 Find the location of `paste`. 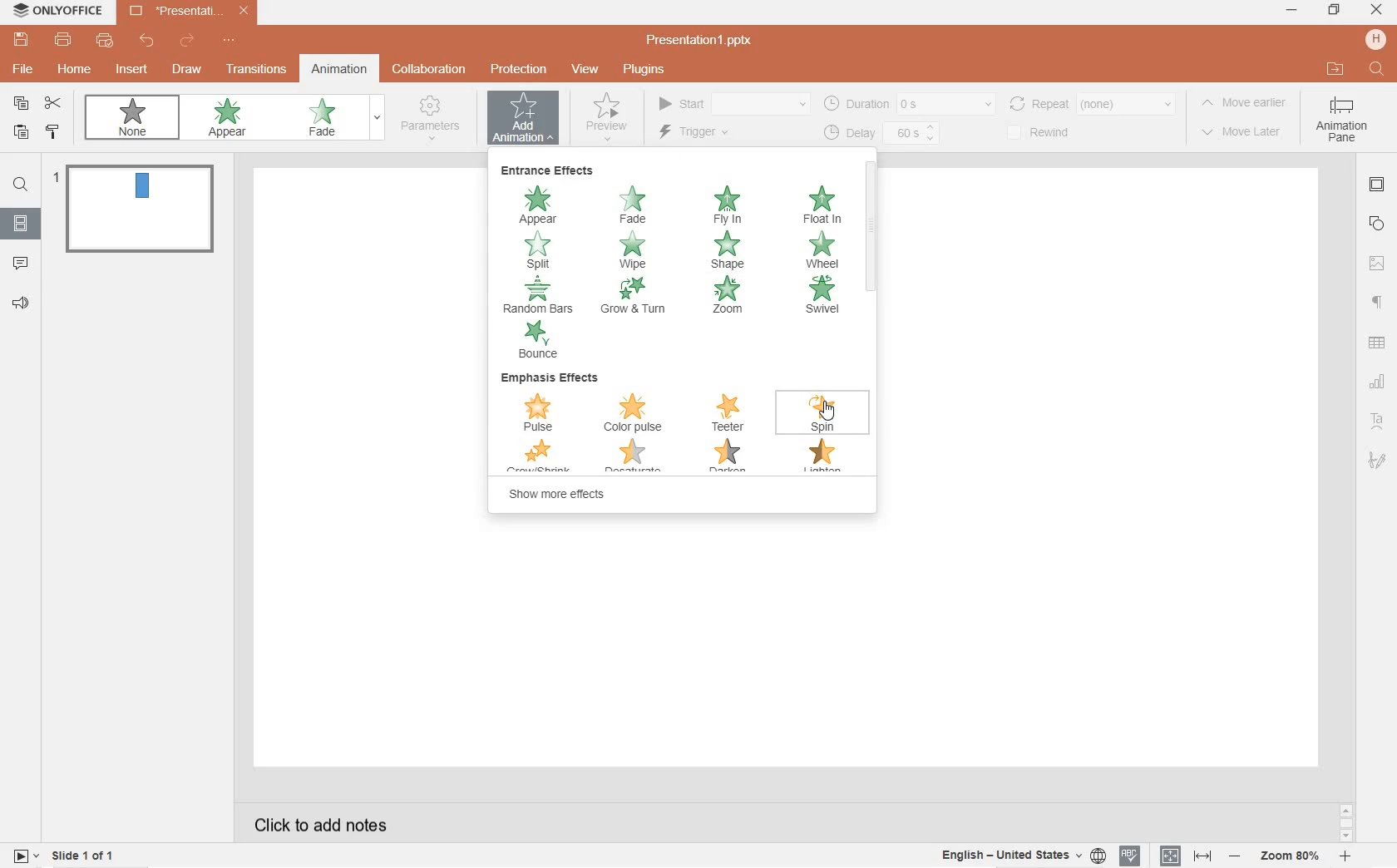

paste is located at coordinates (18, 133).